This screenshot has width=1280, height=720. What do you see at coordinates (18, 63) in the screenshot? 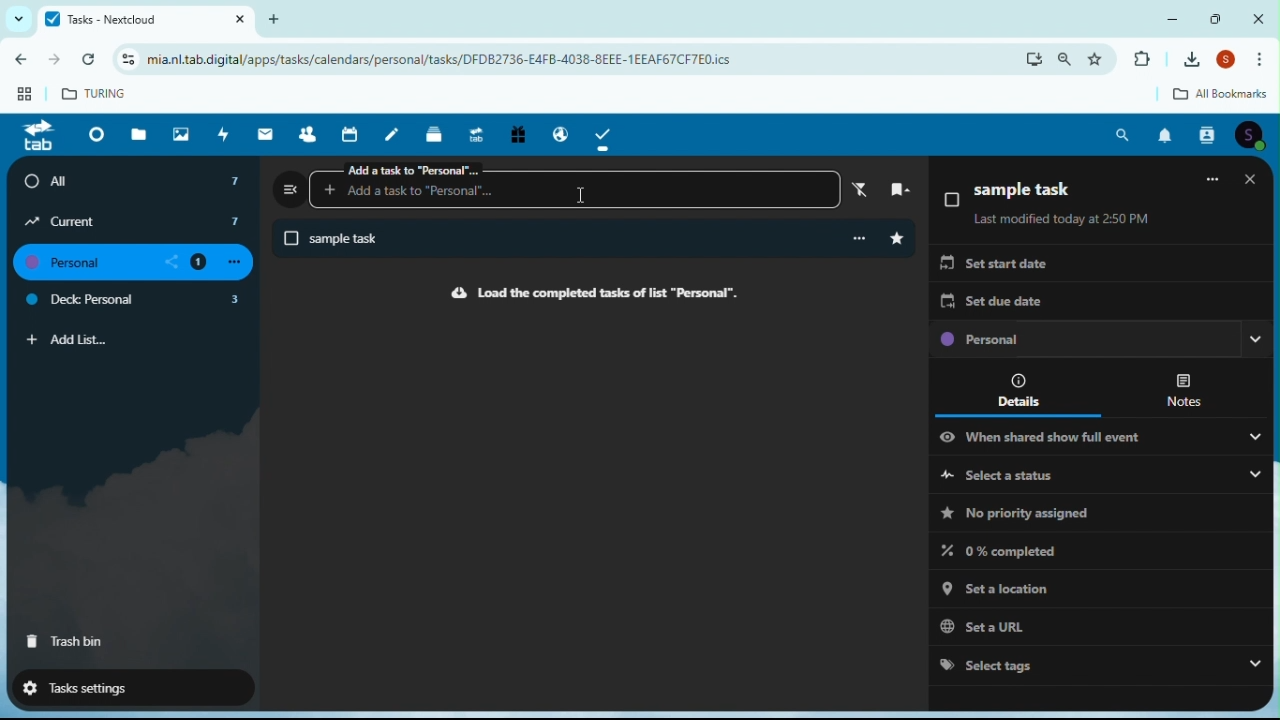
I see `backward` at bounding box center [18, 63].